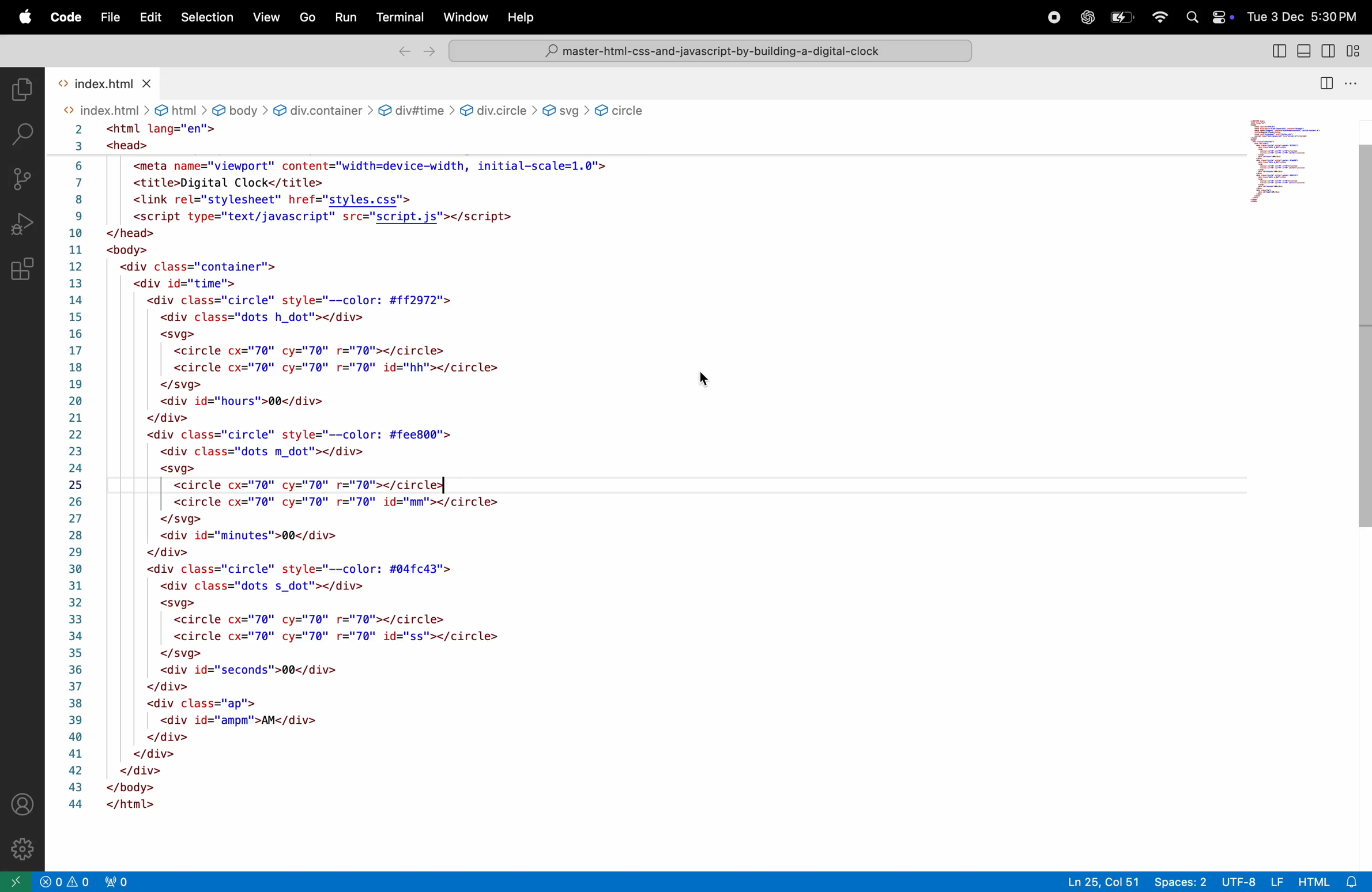  What do you see at coordinates (65, 18) in the screenshot?
I see `code` at bounding box center [65, 18].